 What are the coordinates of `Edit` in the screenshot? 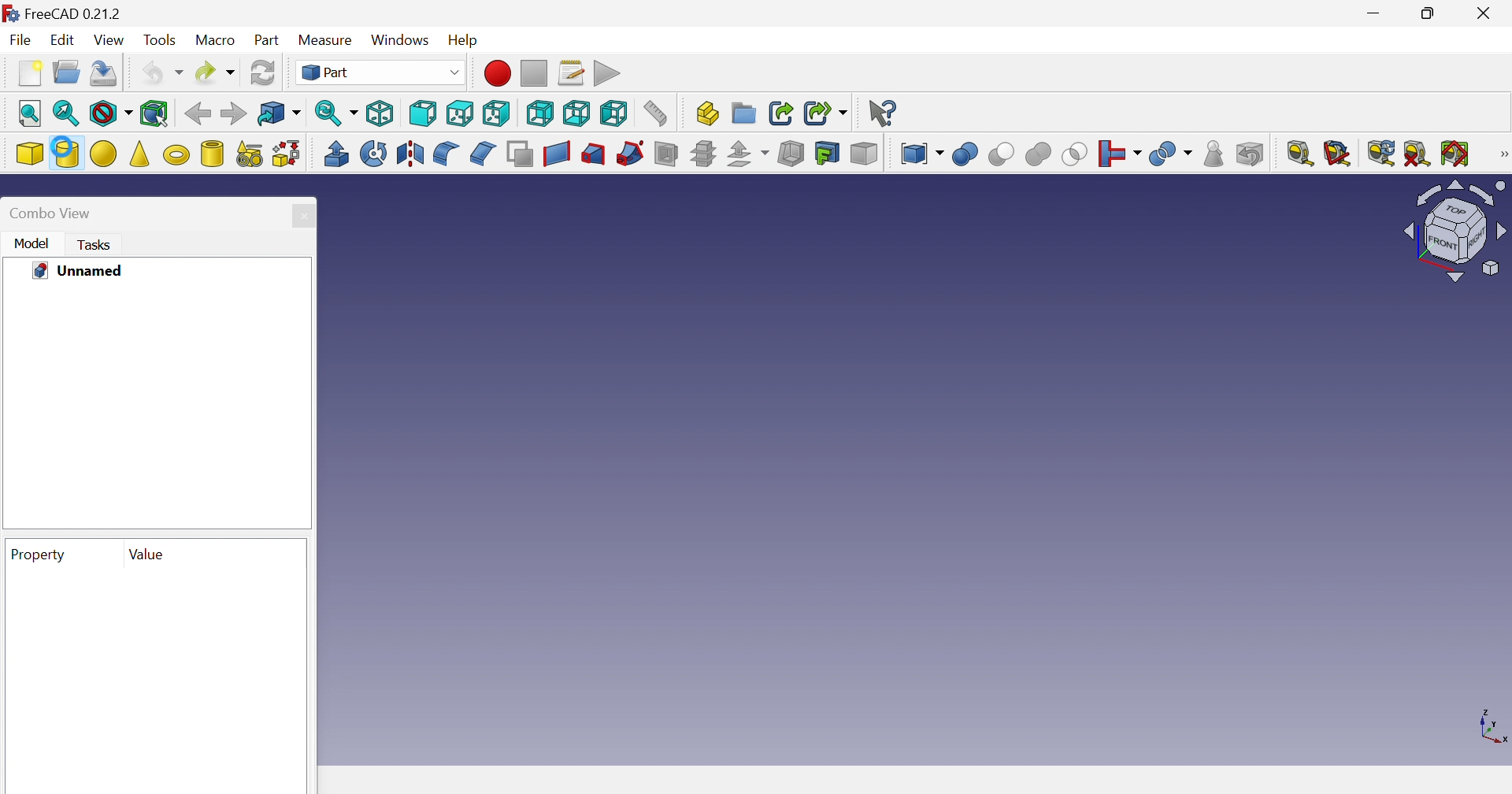 It's located at (61, 43).